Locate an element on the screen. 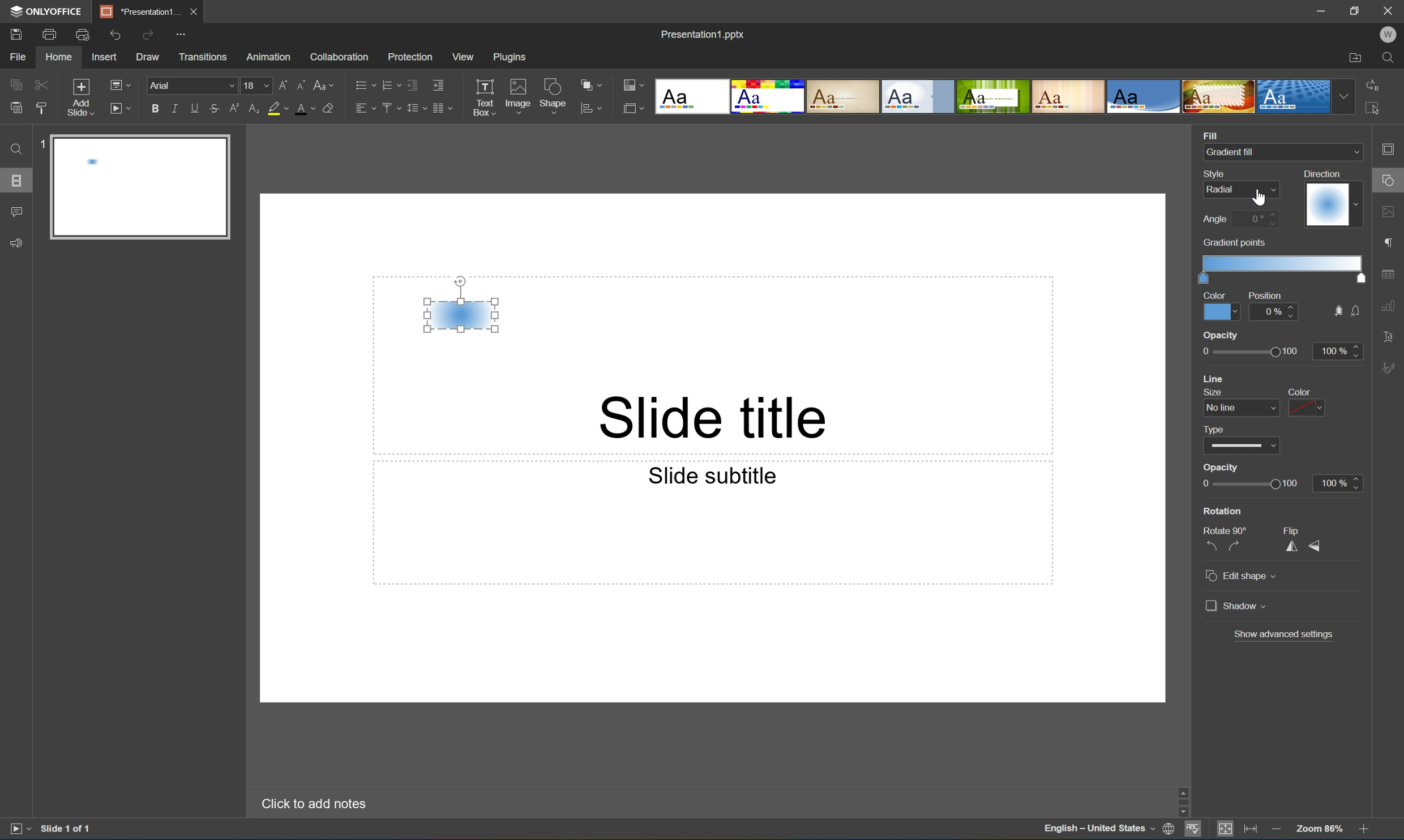 The width and height of the screenshot is (1404, 840). table settings is located at coordinates (1390, 275).